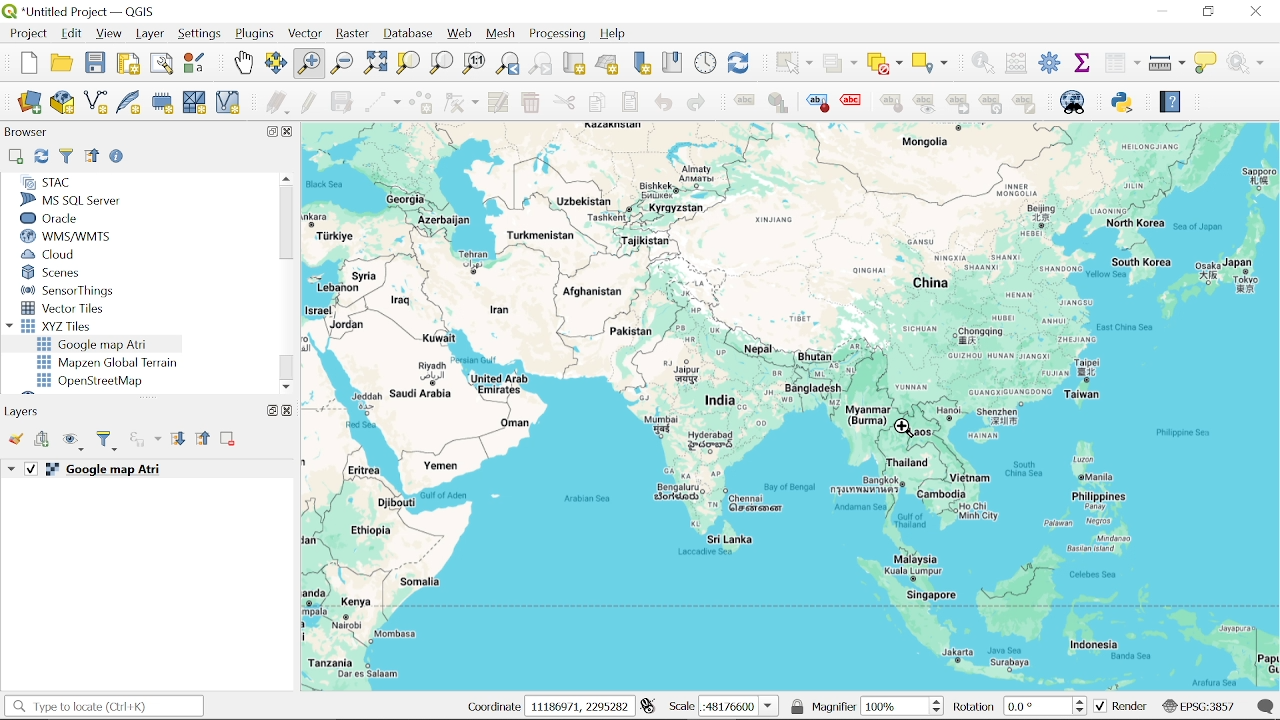 The height and width of the screenshot is (720, 1280). Describe the element at coordinates (663, 103) in the screenshot. I see `Undo` at that location.